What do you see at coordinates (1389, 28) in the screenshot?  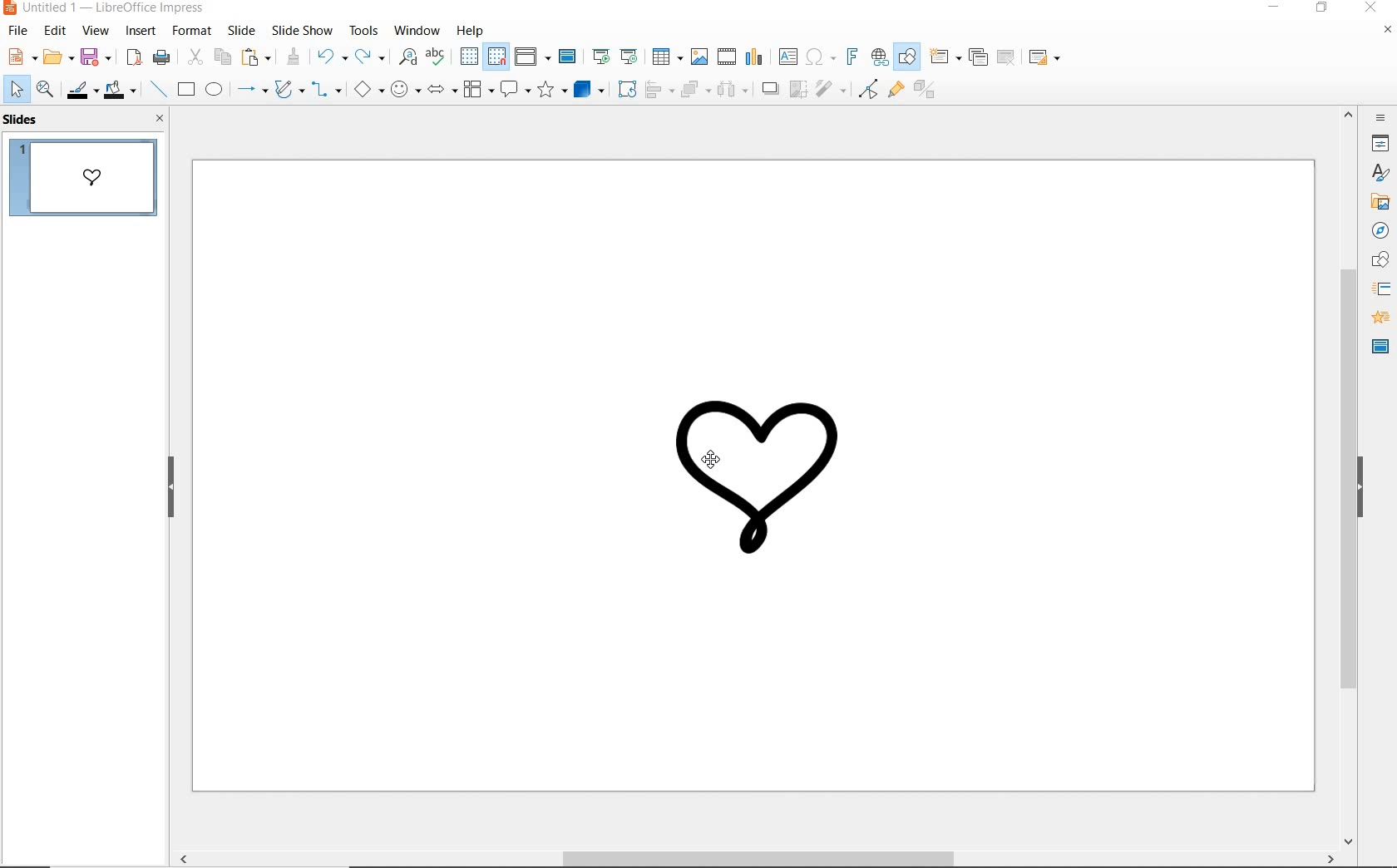 I see `CLOSE DOCUMENT` at bounding box center [1389, 28].